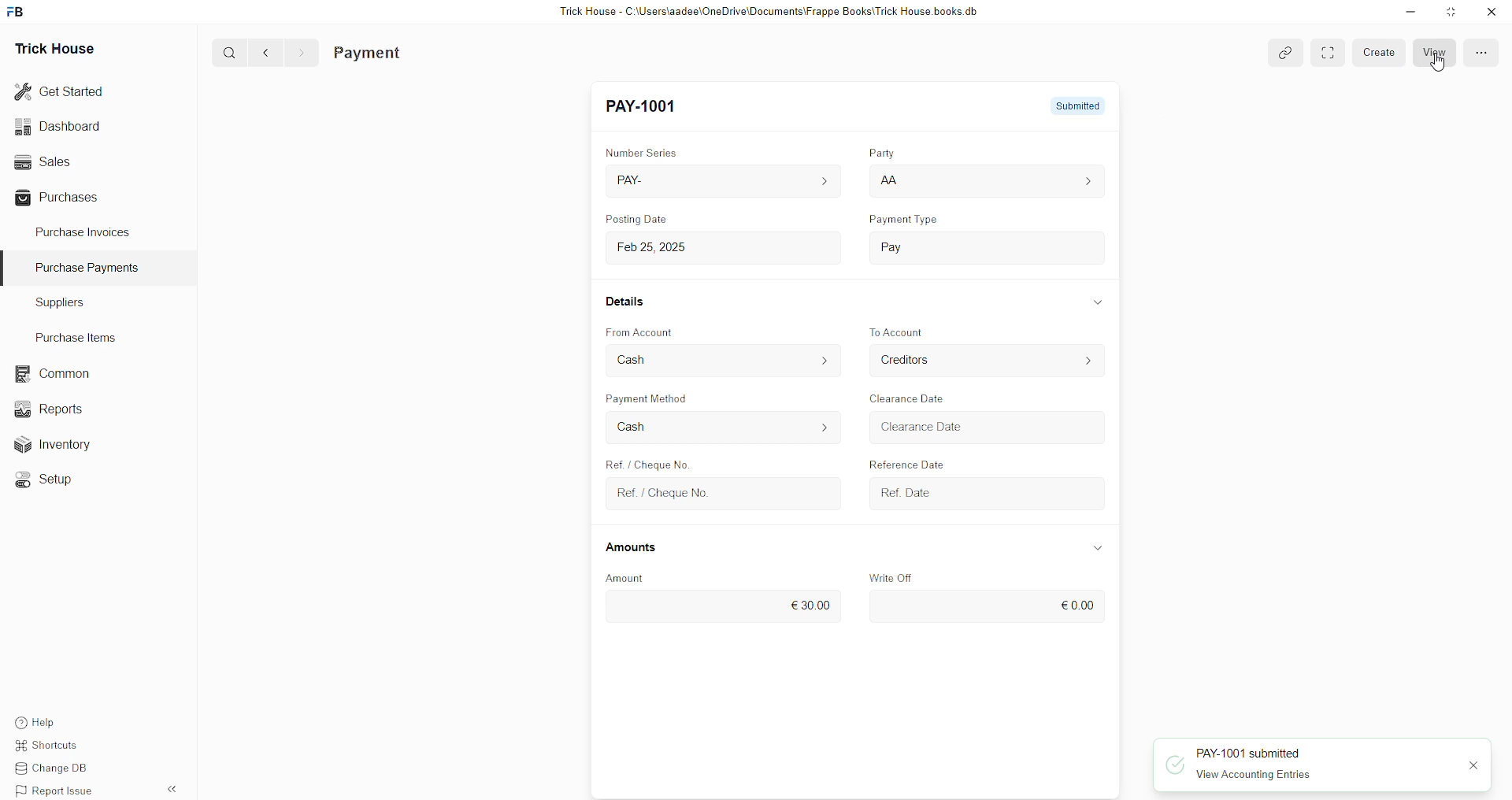 Image resolution: width=1512 pixels, height=800 pixels. Describe the element at coordinates (1073, 606) in the screenshot. I see `€0.00` at that location.